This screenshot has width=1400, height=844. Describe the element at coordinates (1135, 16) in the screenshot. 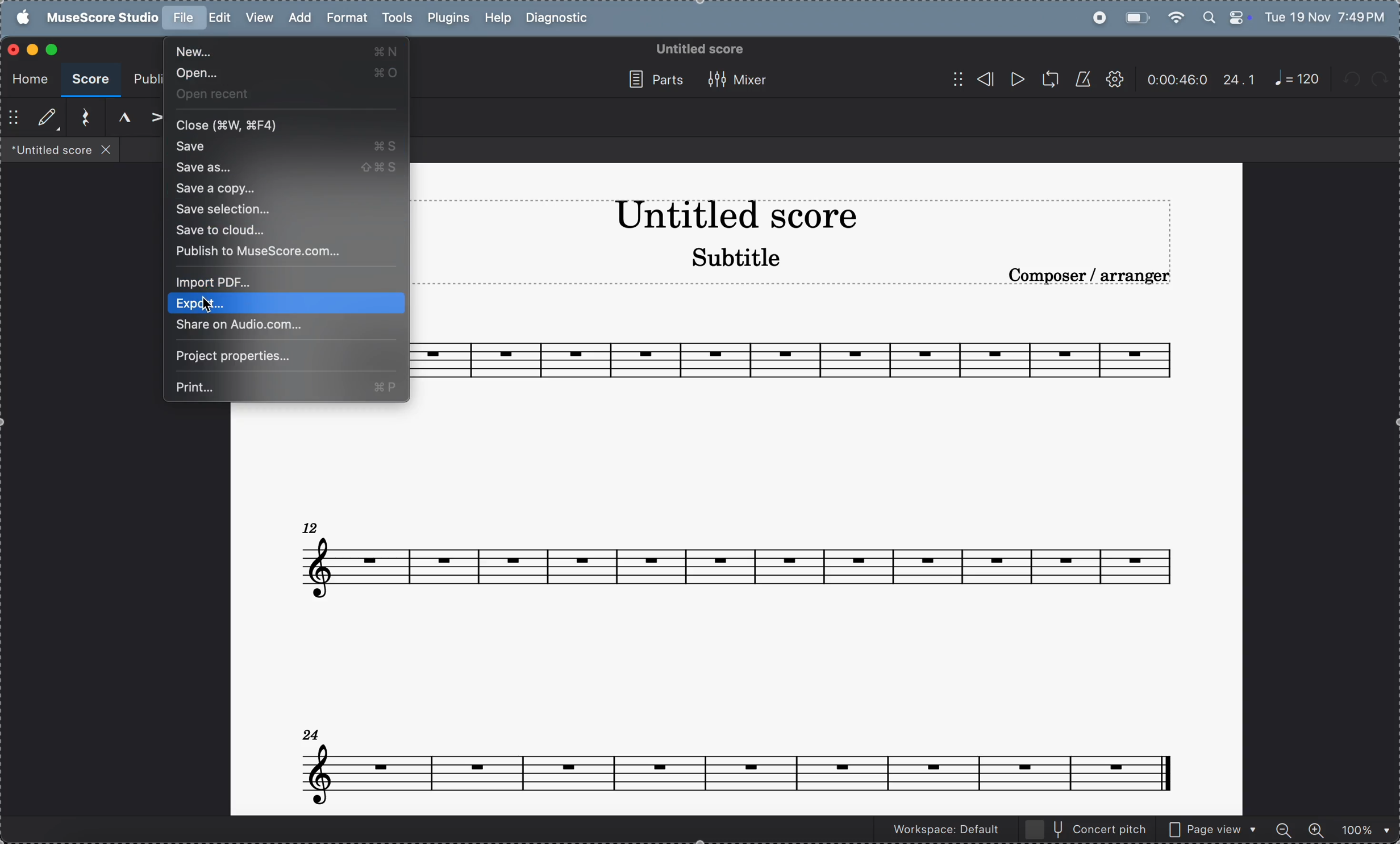

I see `battery` at that location.